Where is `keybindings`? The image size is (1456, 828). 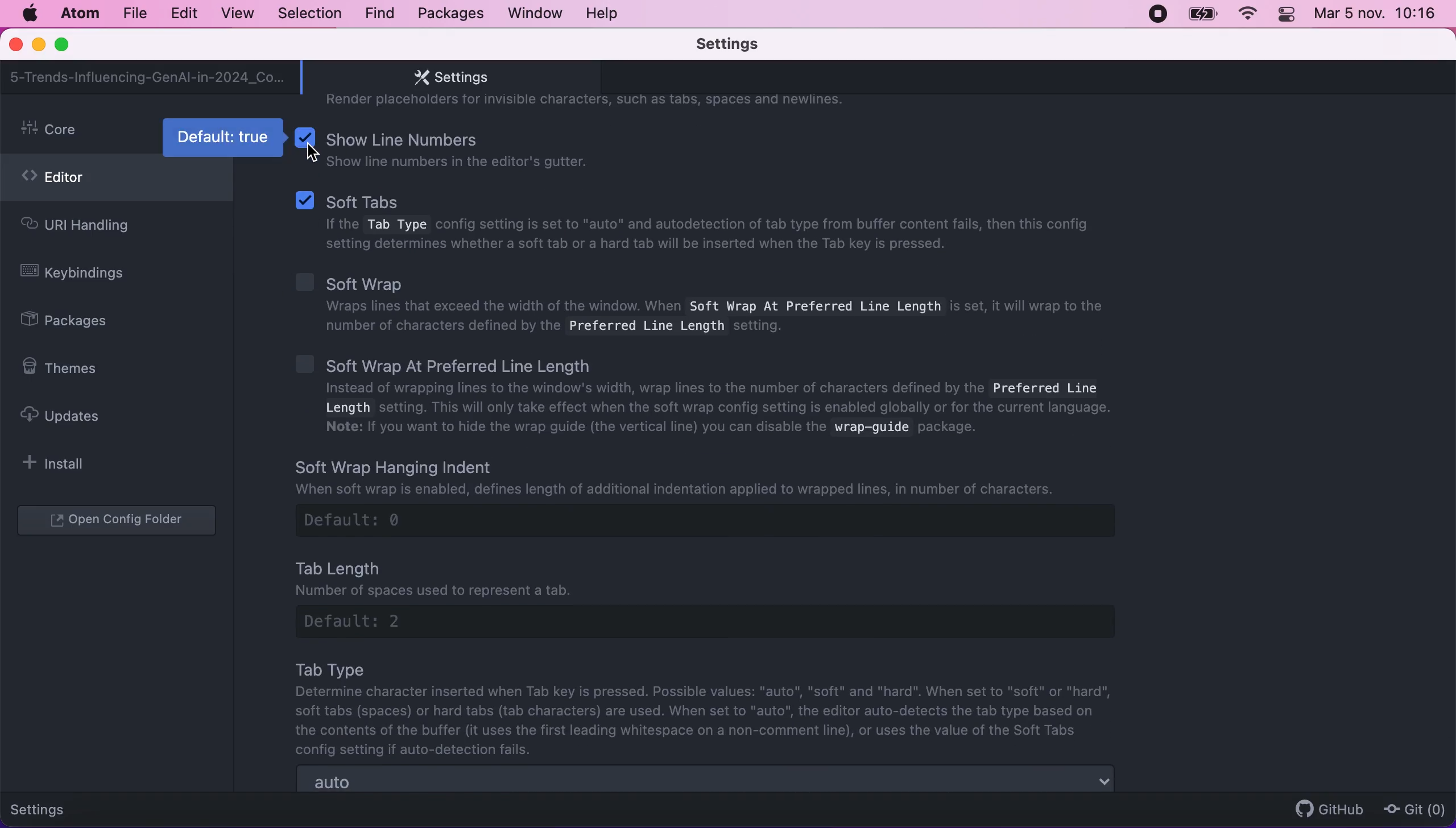
keybindings is located at coordinates (81, 275).